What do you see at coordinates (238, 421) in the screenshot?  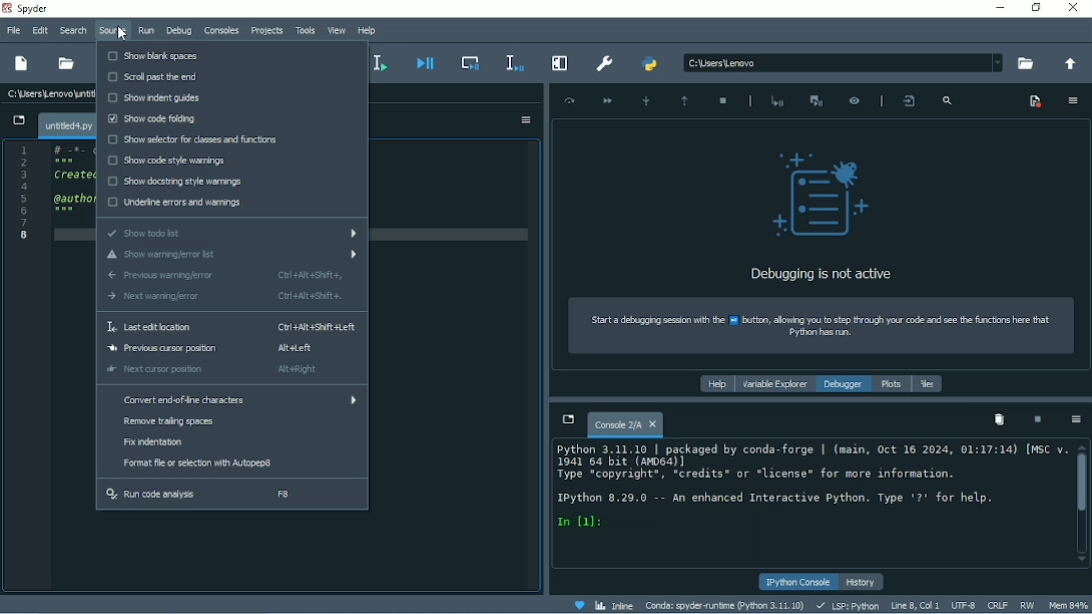 I see `Remove trailing spaces` at bounding box center [238, 421].